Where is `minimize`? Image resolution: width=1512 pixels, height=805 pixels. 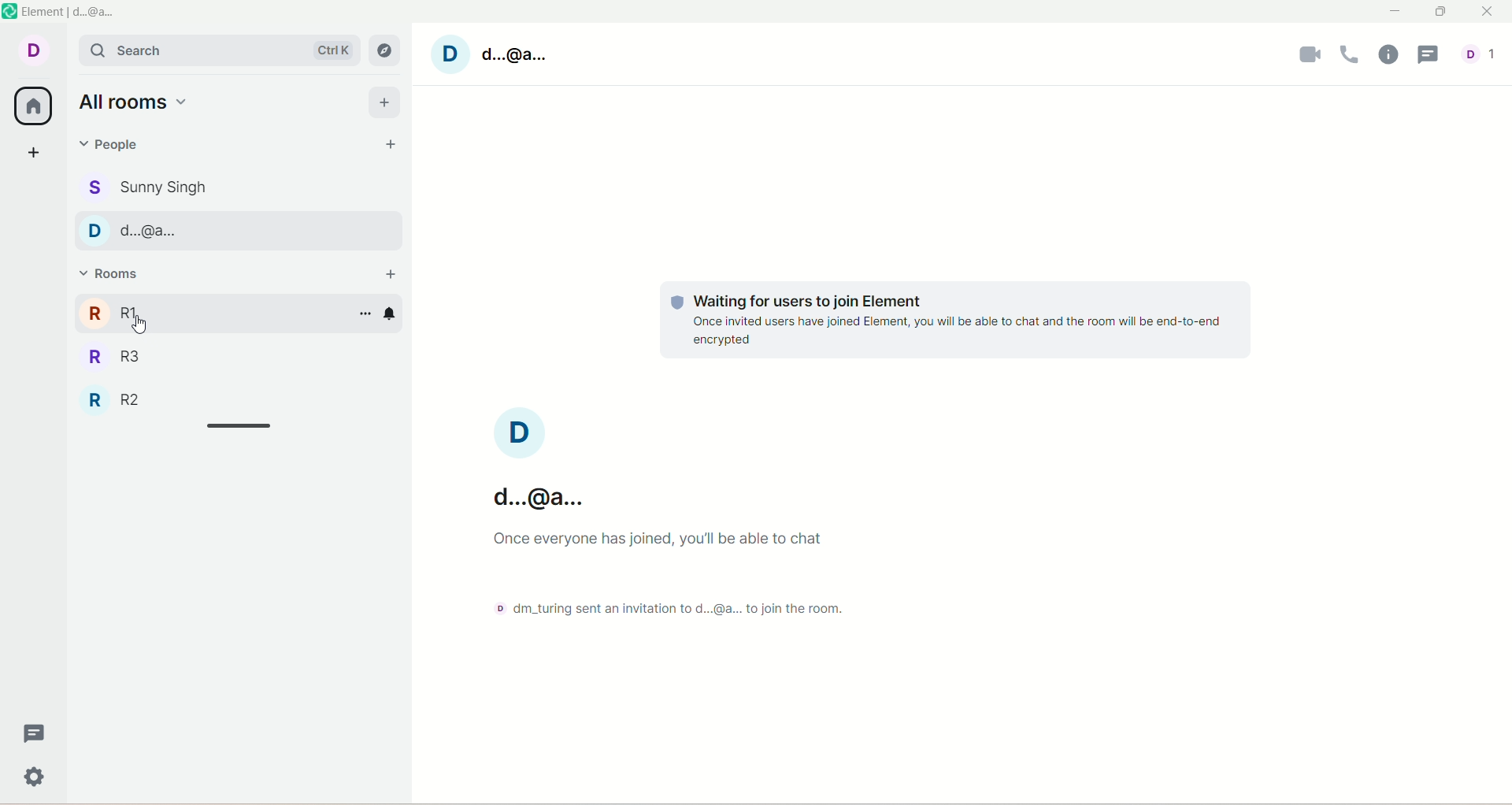
minimize is located at coordinates (1395, 13).